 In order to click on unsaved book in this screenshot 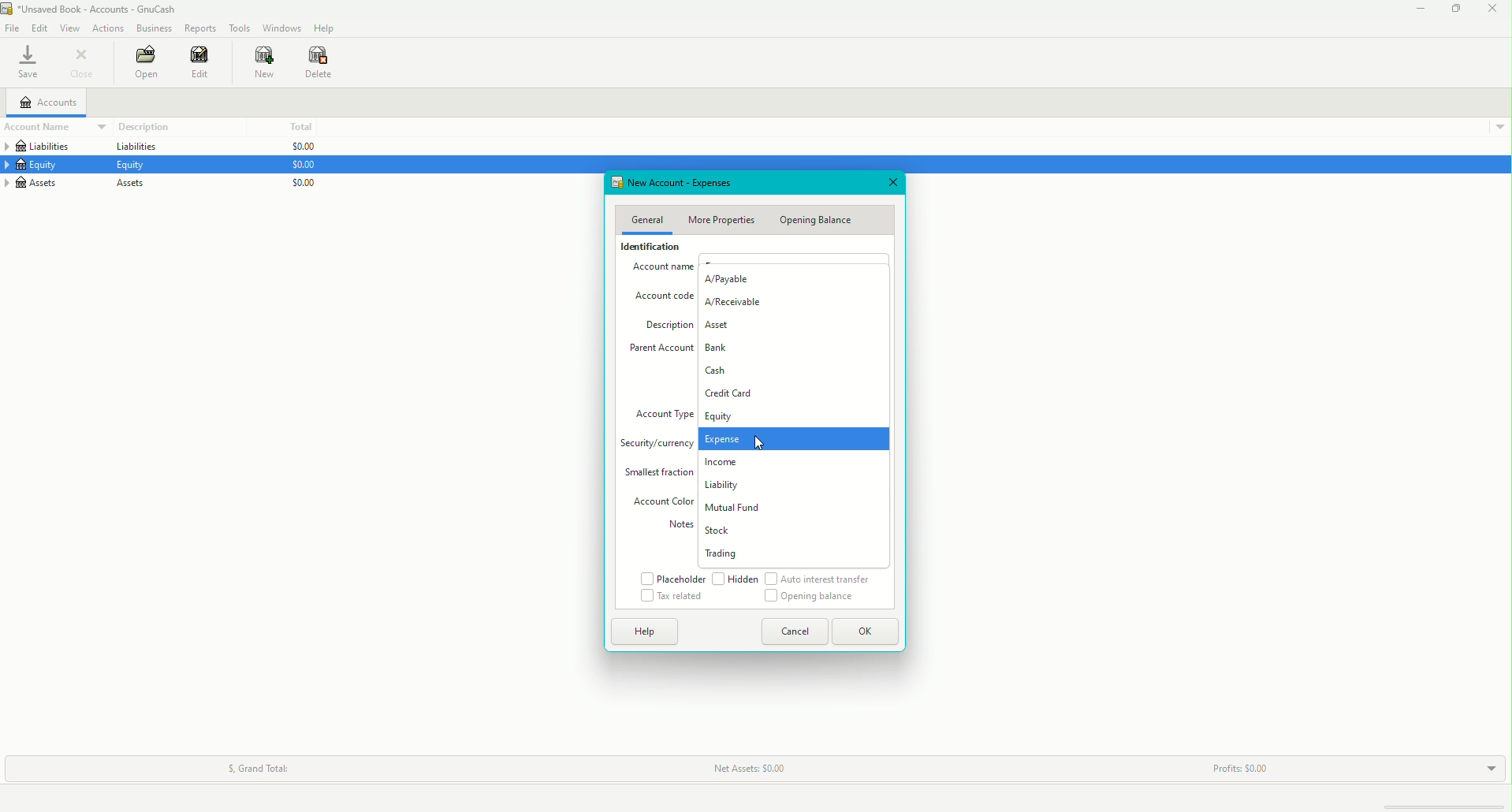, I will do `click(96, 9)`.